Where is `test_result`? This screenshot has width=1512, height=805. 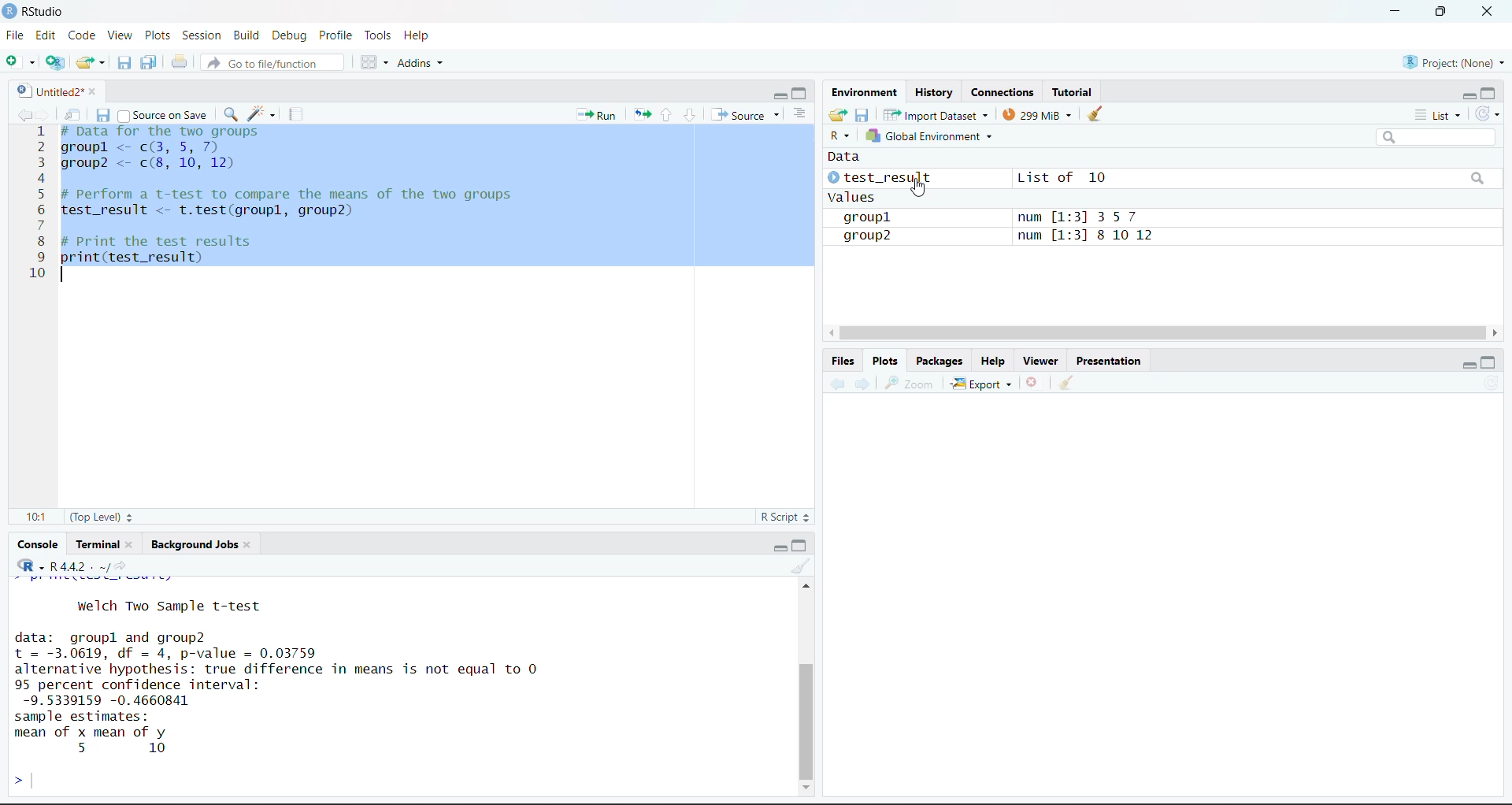
test_result is located at coordinates (880, 177).